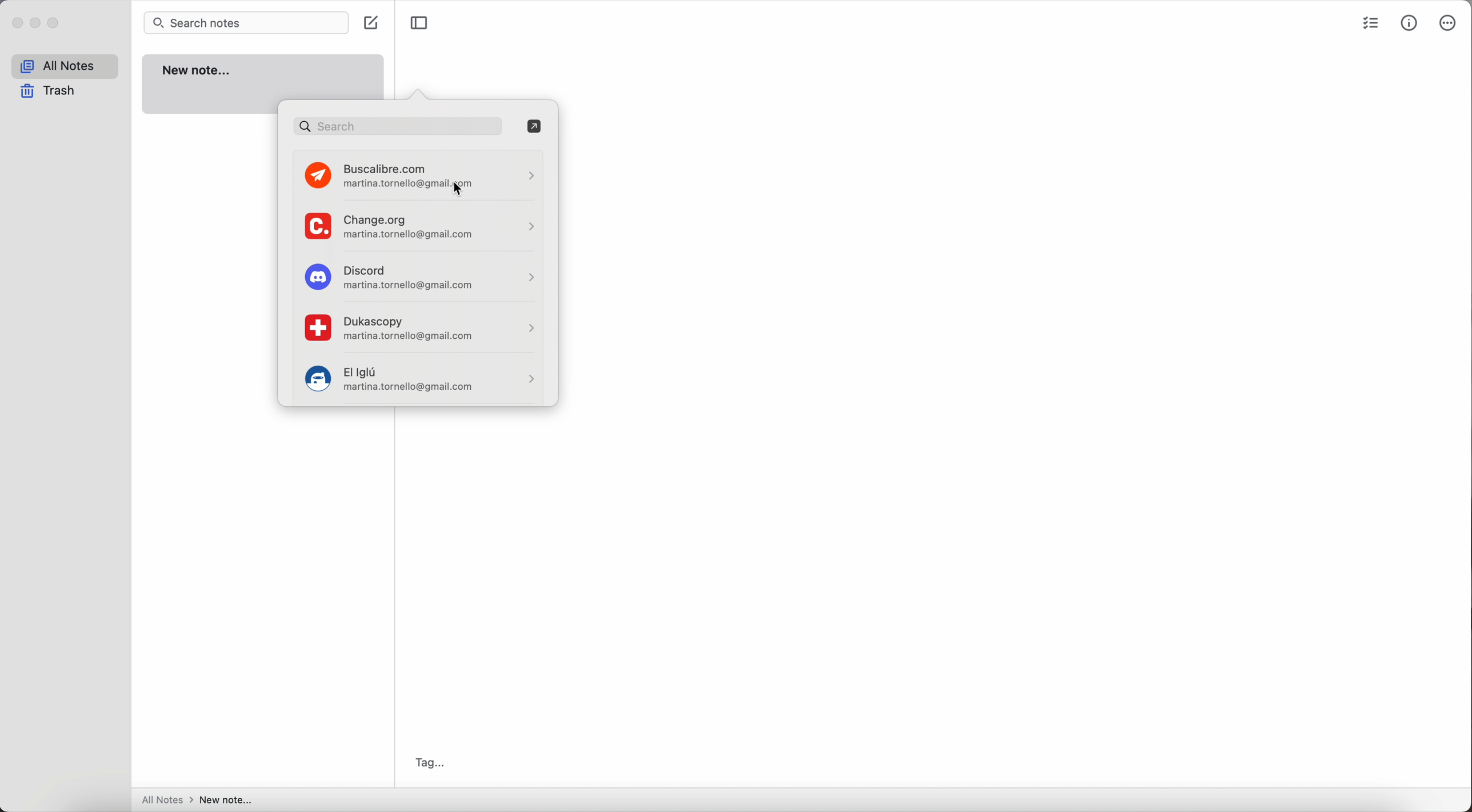  Describe the element at coordinates (38, 23) in the screenshot. I see `minimize Simplenote` at that location.